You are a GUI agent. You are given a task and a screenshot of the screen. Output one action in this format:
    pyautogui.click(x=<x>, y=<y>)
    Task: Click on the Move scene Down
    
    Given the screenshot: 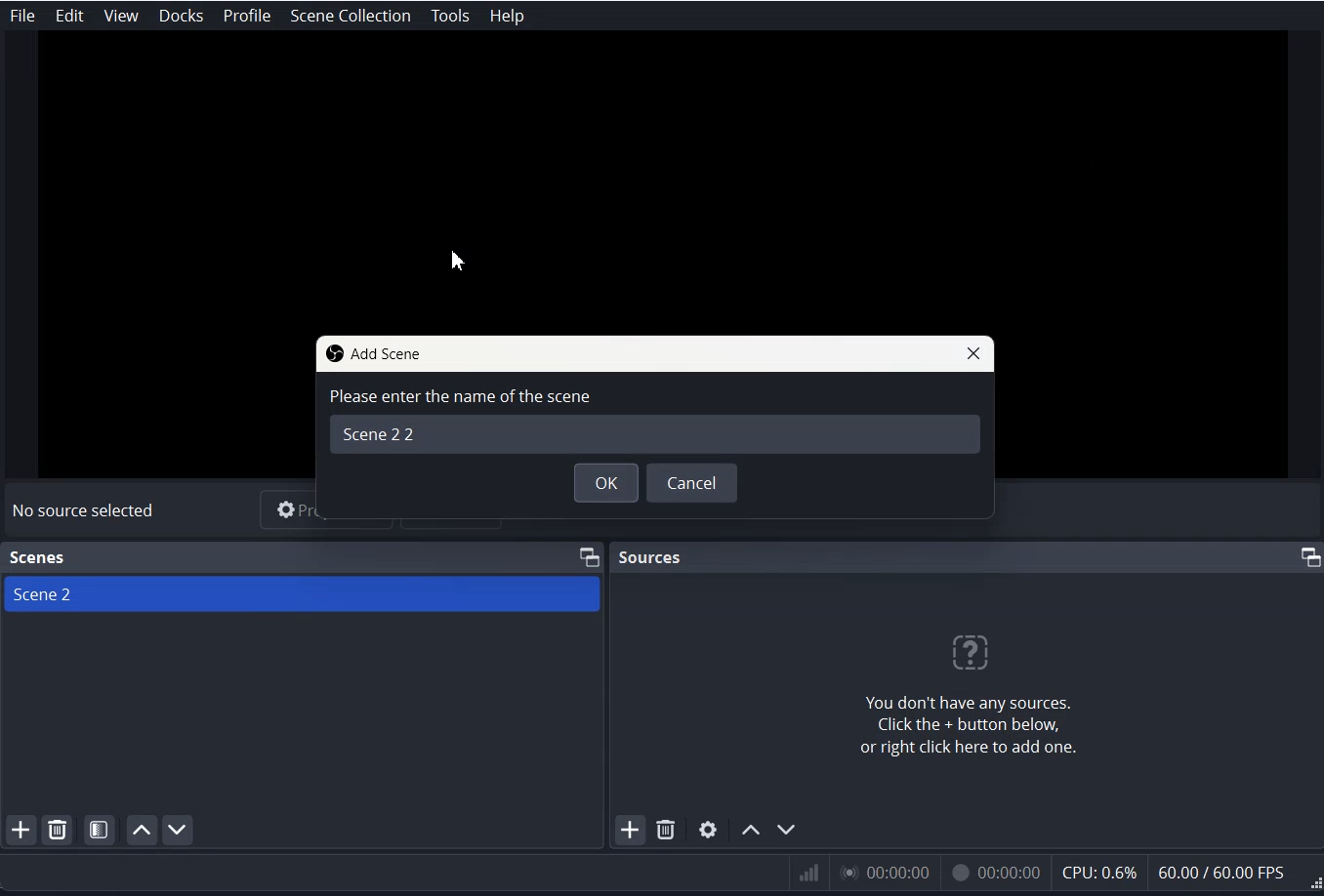 What is the action you would take?
    pyautogui.click(x=177, y=829)
    